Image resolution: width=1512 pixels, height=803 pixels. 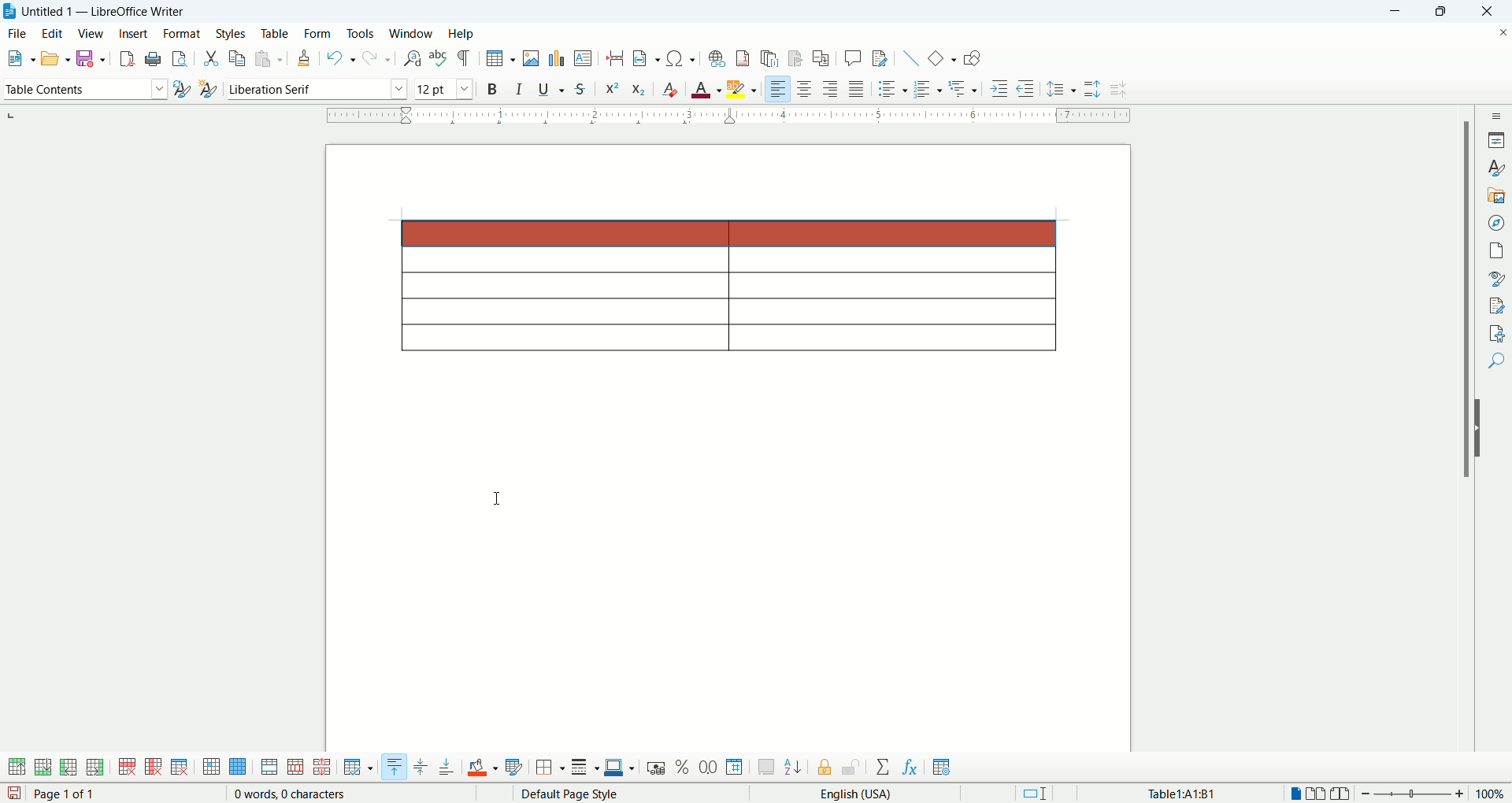 I want to click on zoom bar, so click(x=1414, y=794).